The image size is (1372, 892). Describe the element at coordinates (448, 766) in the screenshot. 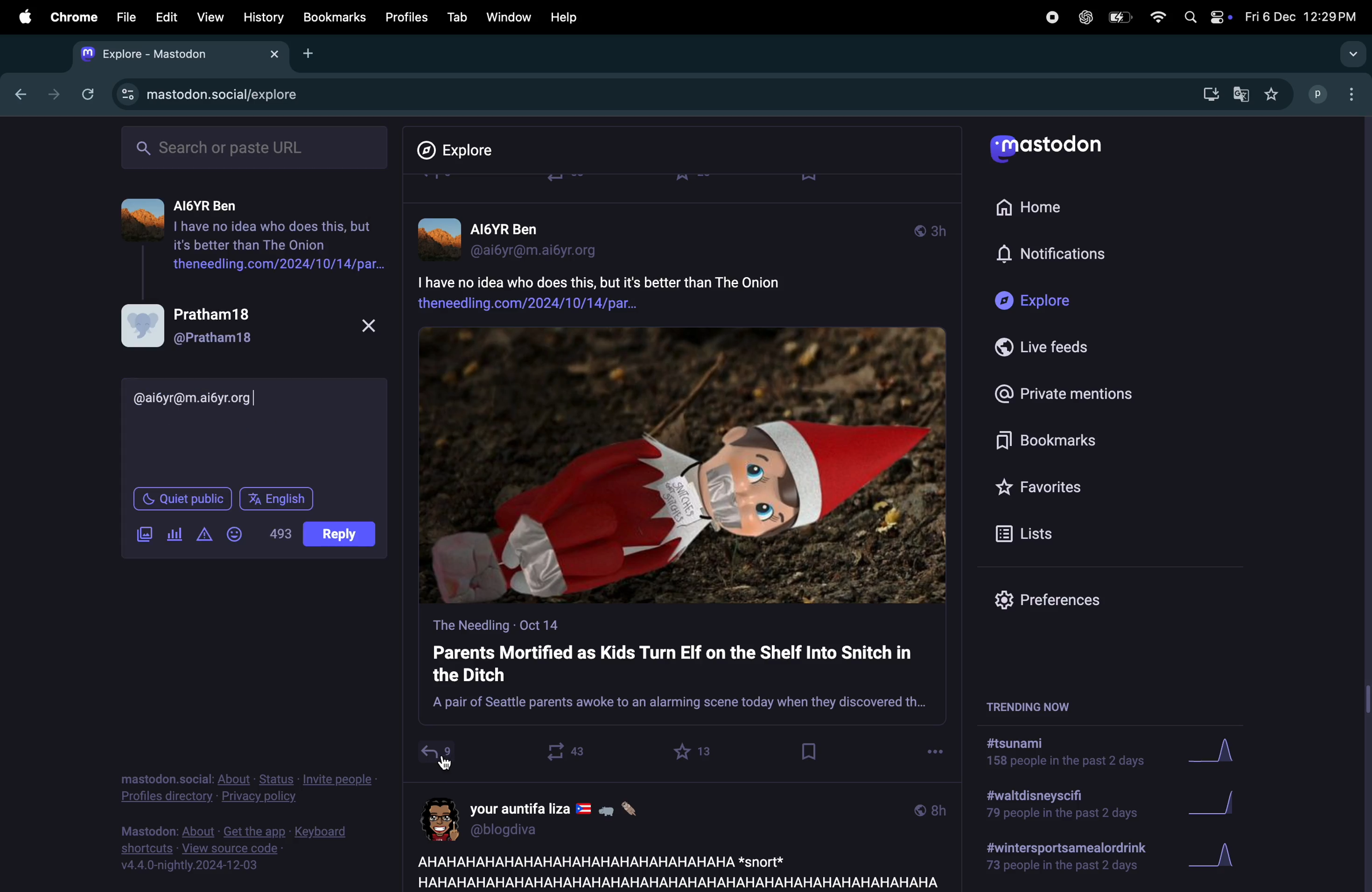

I see `options` at that location.